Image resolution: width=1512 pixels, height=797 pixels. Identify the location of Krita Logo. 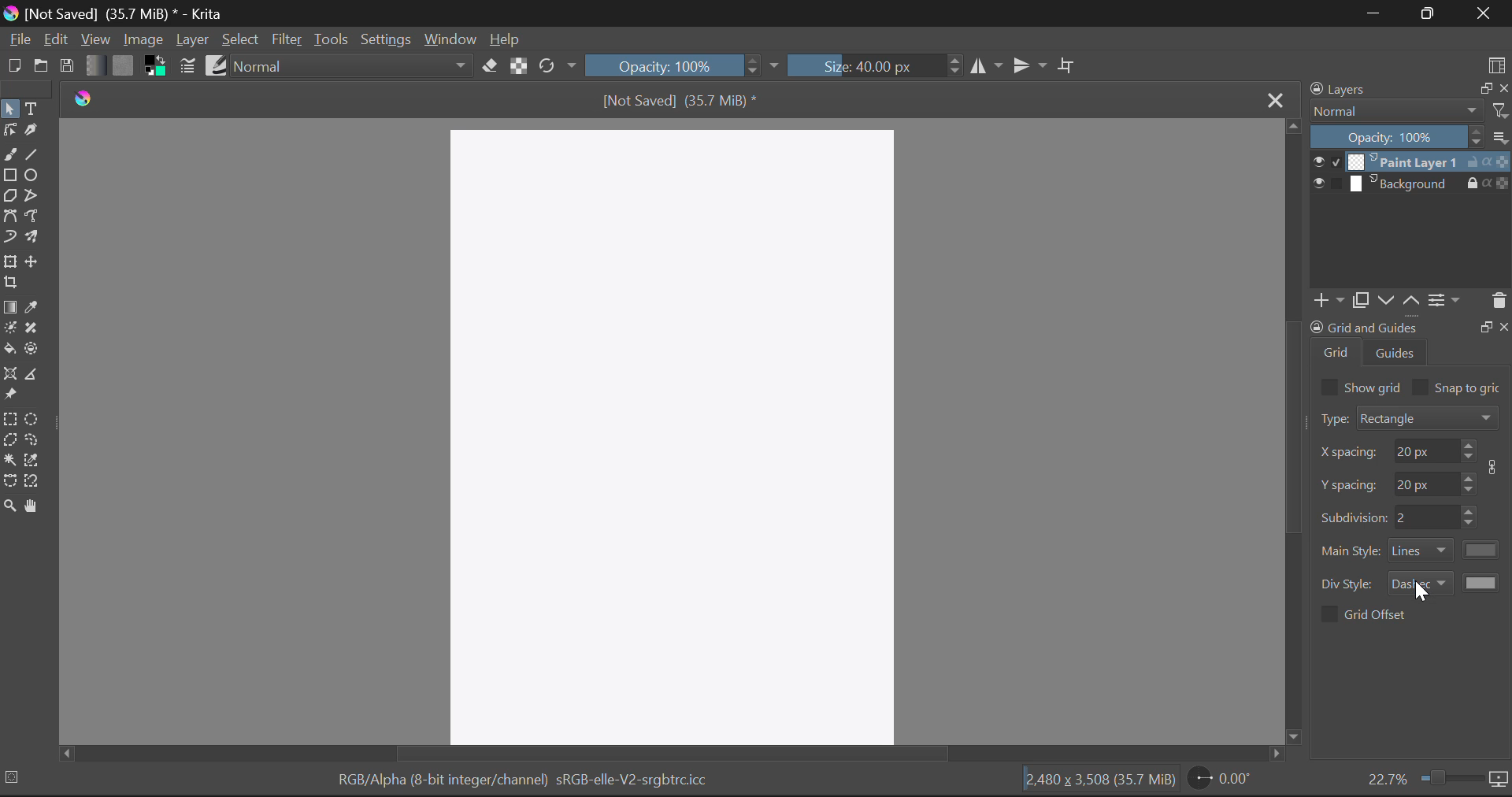
(84, 98).